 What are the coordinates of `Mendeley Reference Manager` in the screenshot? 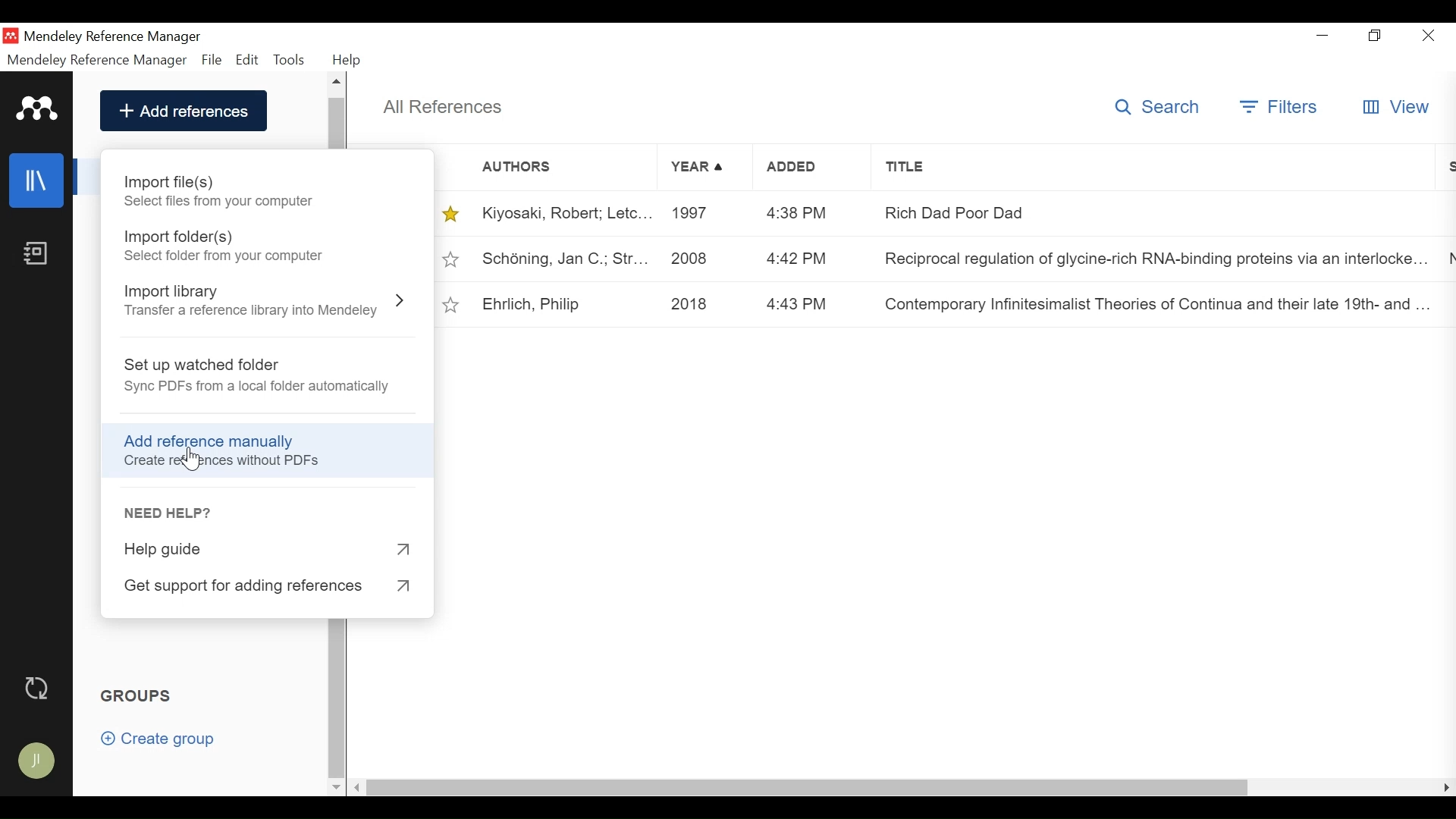 It's located at (98, 60).